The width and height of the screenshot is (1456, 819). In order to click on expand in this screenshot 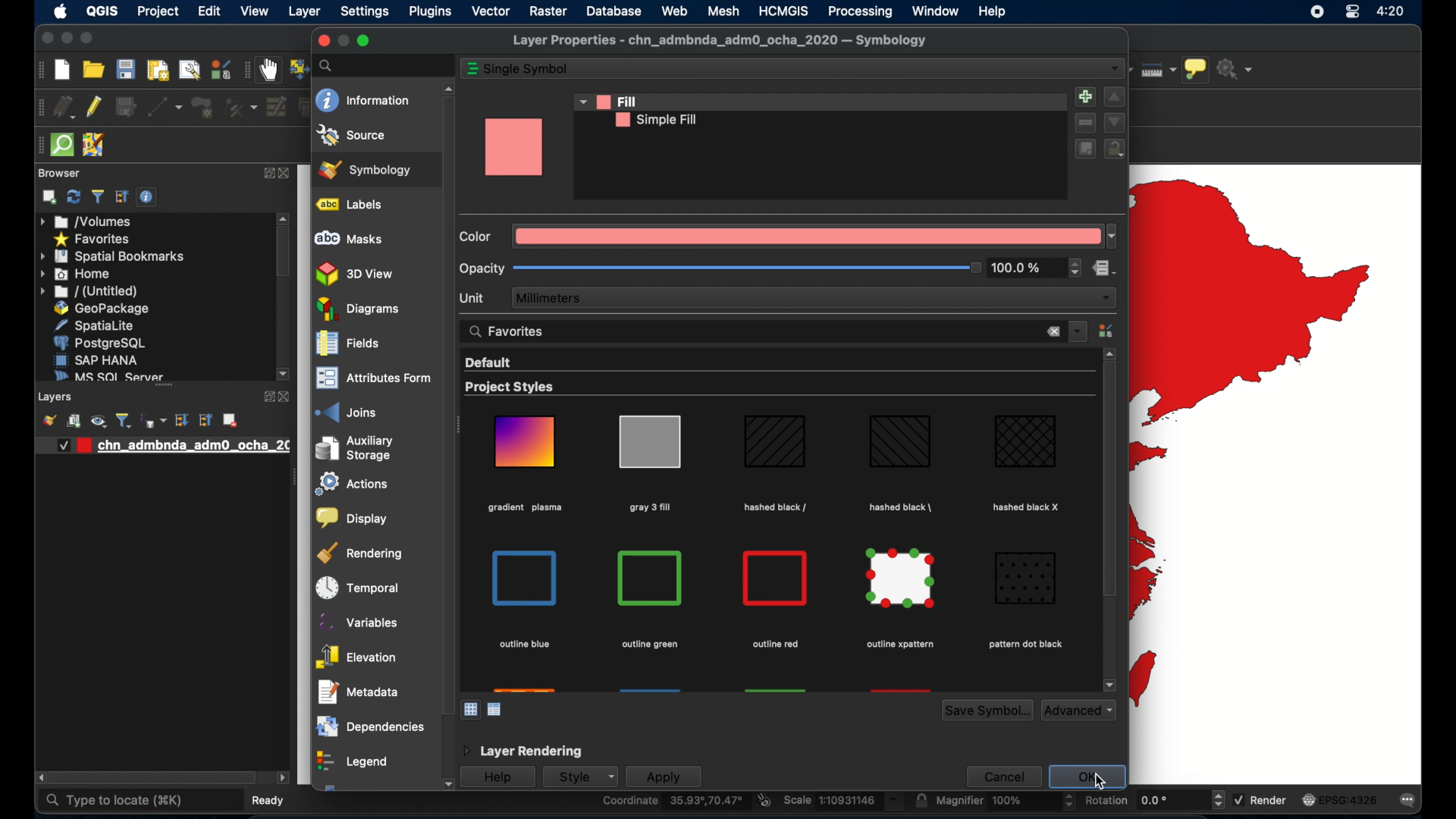, I will do `click(181, 420)`.